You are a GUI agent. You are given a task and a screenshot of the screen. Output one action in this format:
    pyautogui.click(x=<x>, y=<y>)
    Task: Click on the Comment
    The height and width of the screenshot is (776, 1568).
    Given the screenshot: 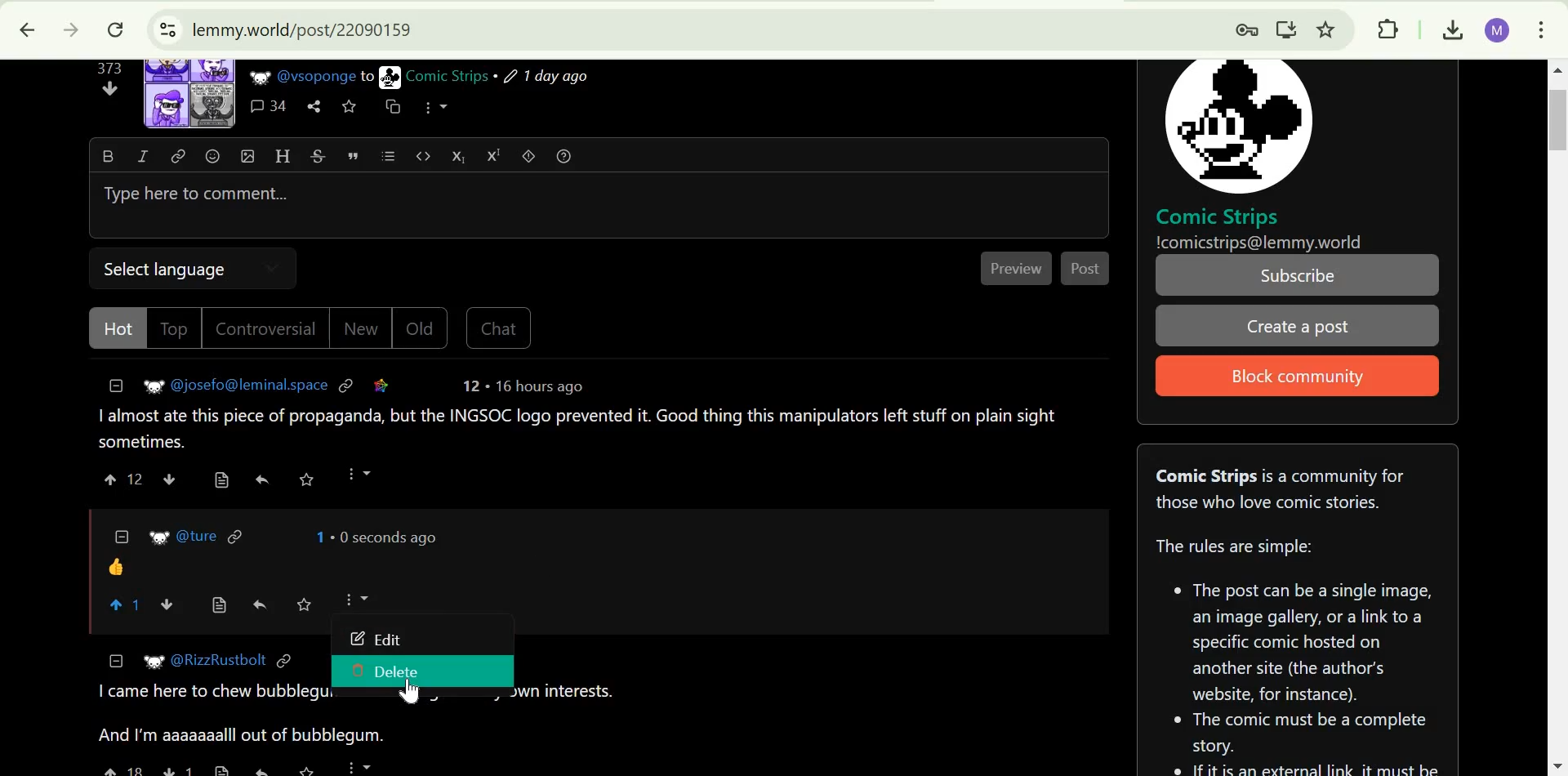 What is the action you would take?
    pyautogui.click(x=580, y=429)
    